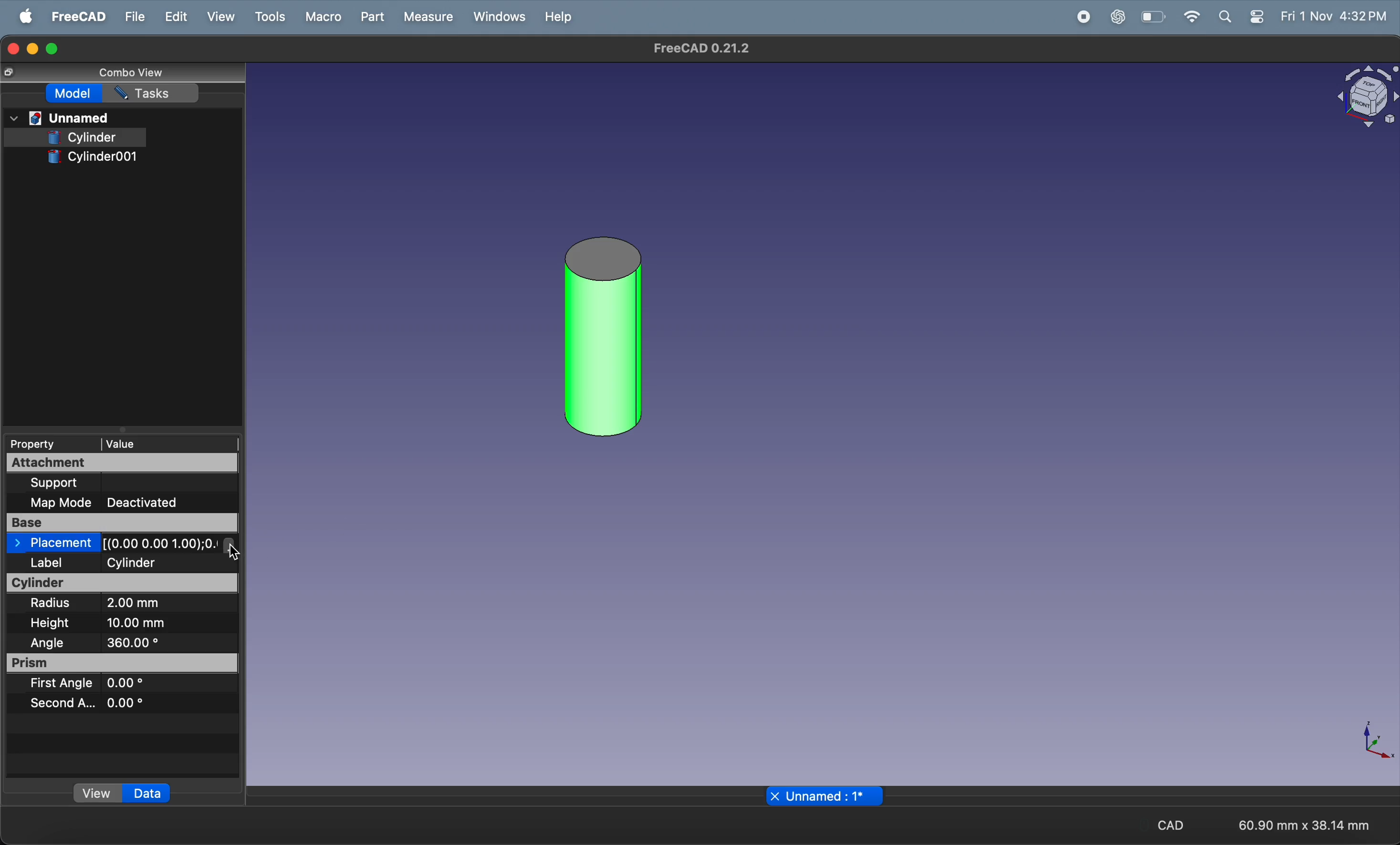 The width and height of the screenshot is (1400, 845). I want to click on model, so click(74, 94).